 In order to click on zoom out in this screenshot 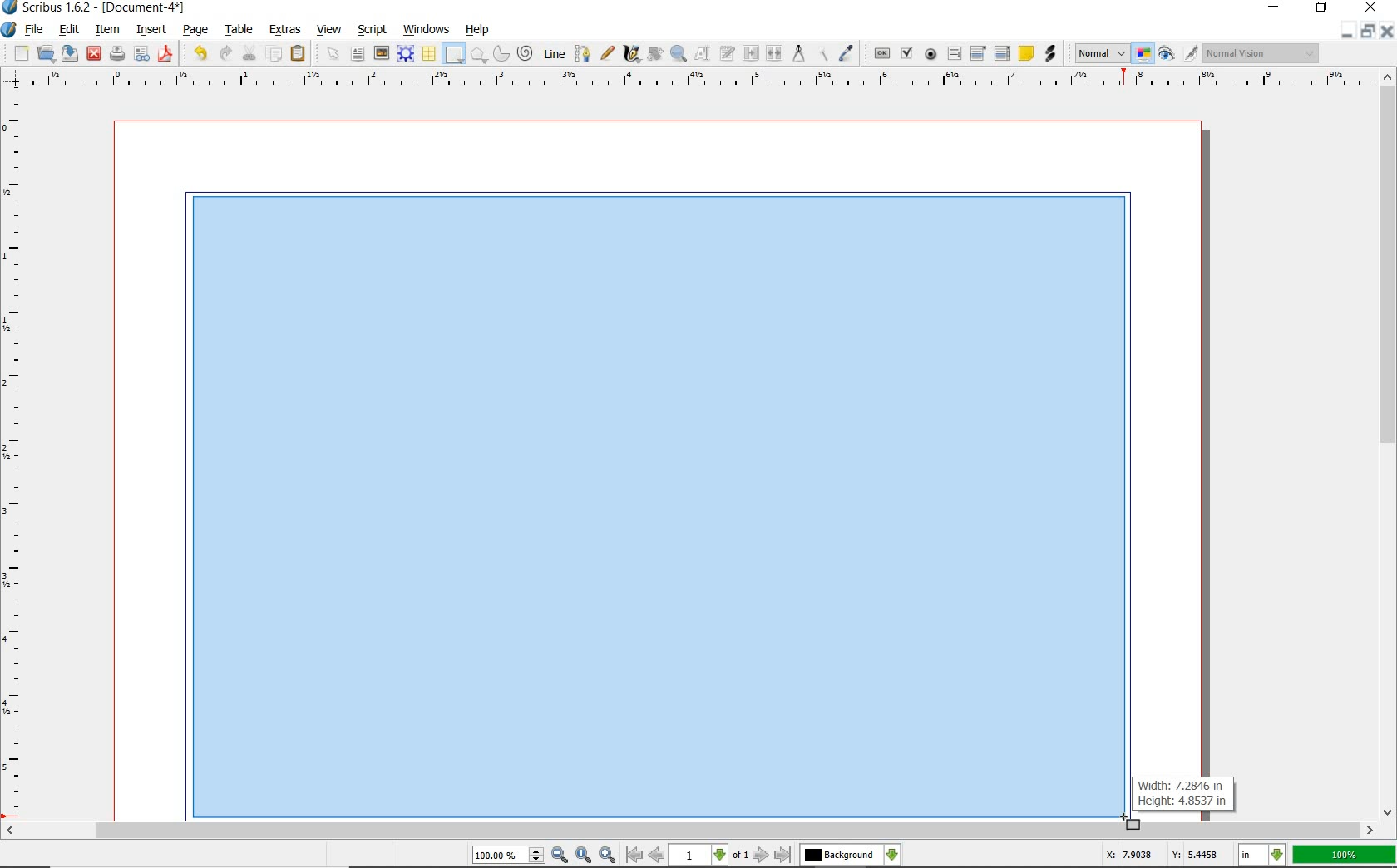, I will do `click(560, 856)`.